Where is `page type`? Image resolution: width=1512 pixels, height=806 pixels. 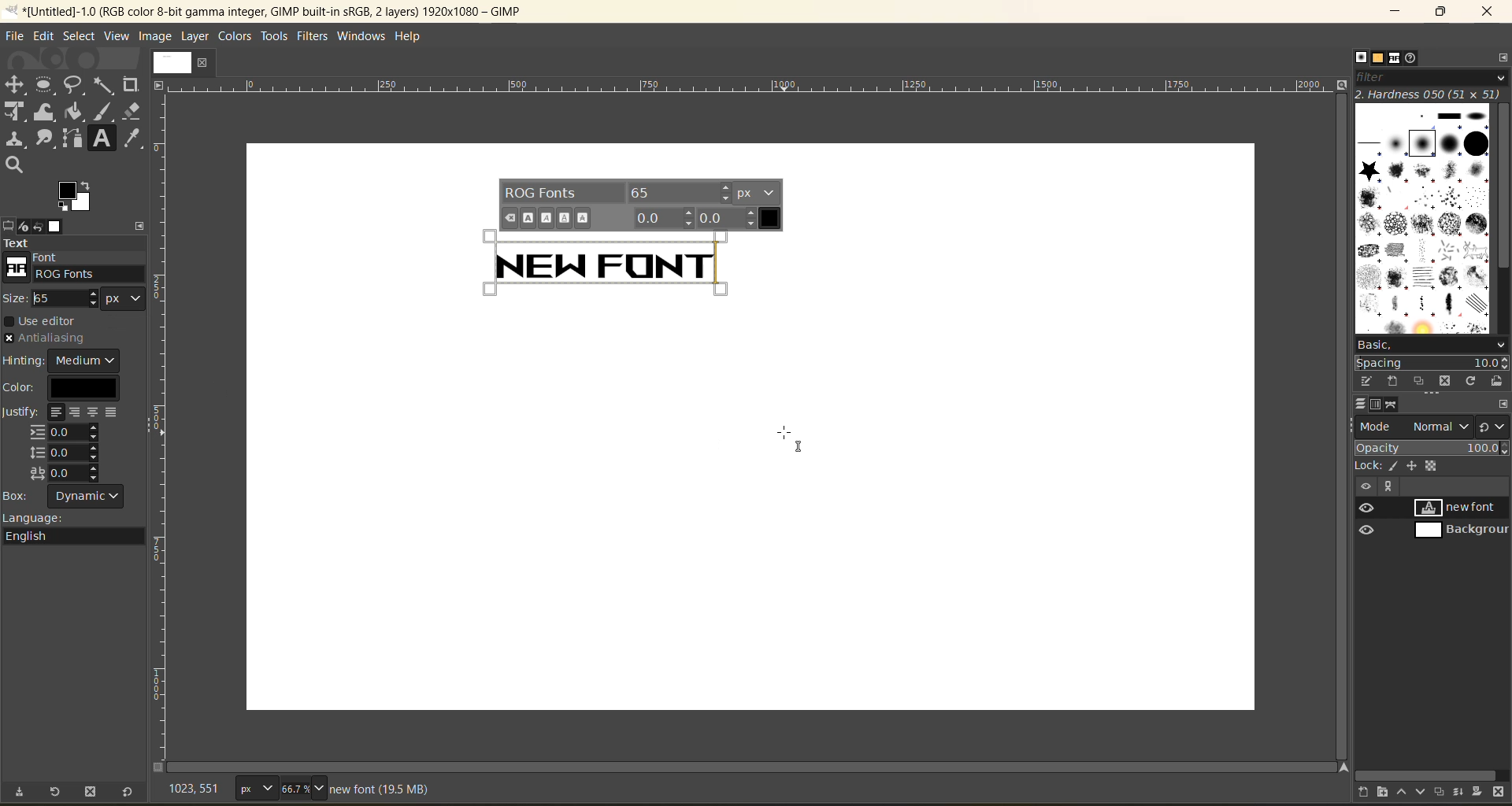
page type is located at coordinates (254, 786).